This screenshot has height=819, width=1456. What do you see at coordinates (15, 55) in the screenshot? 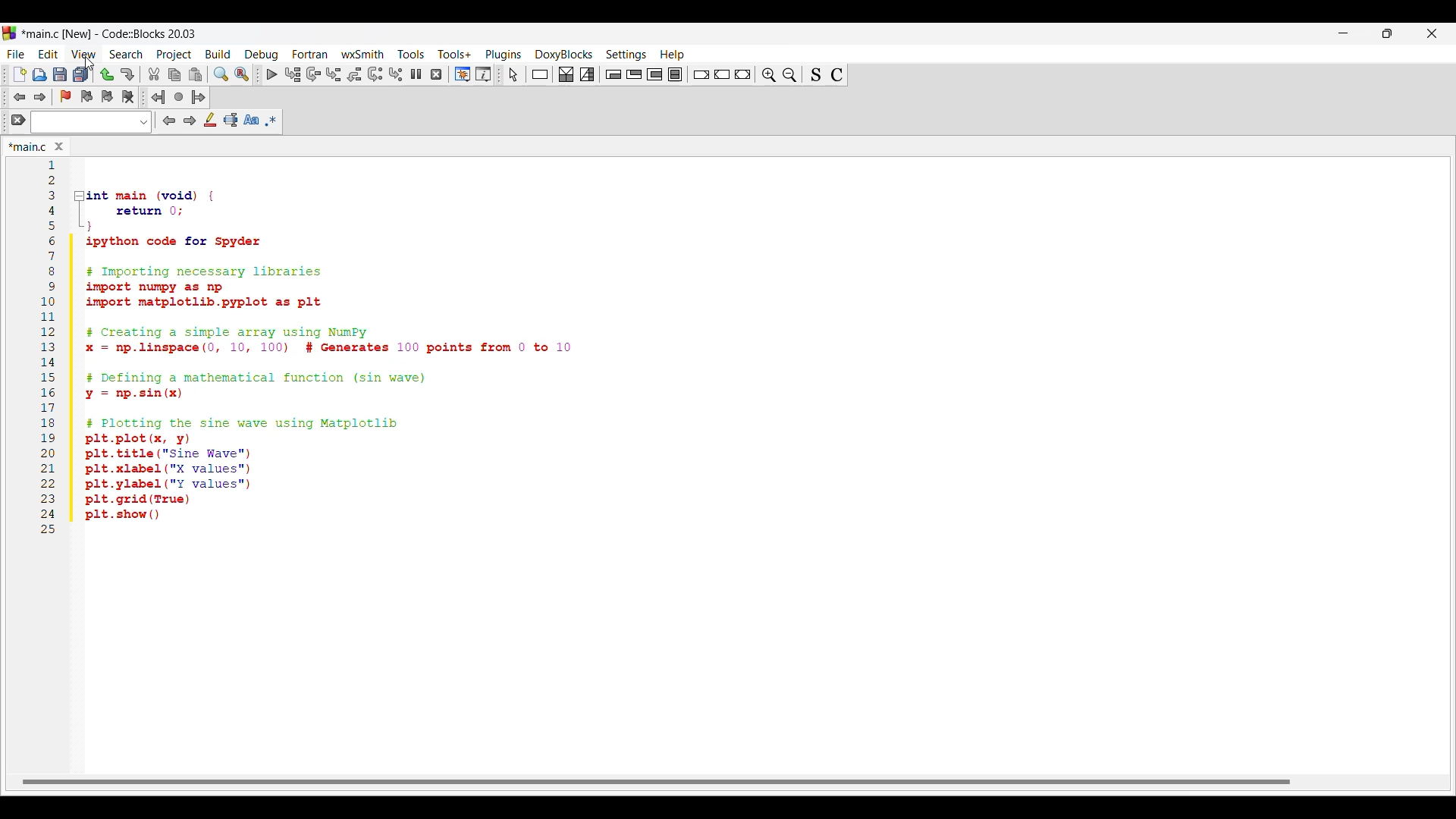
I see `File menu` at bounding box center [15, 55].